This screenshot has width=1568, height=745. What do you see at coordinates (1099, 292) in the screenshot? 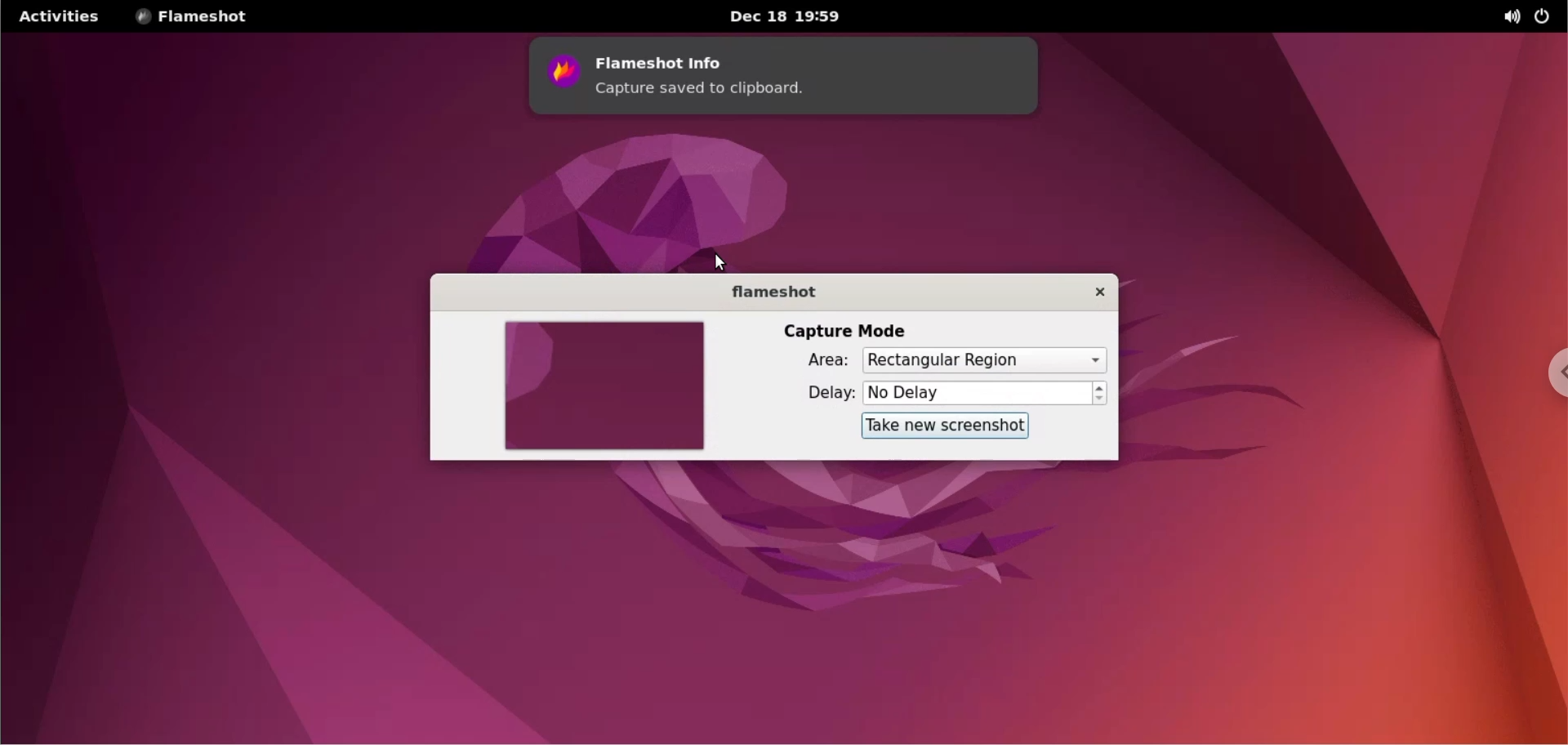
I see `close` at bounding box center [1099, 292].